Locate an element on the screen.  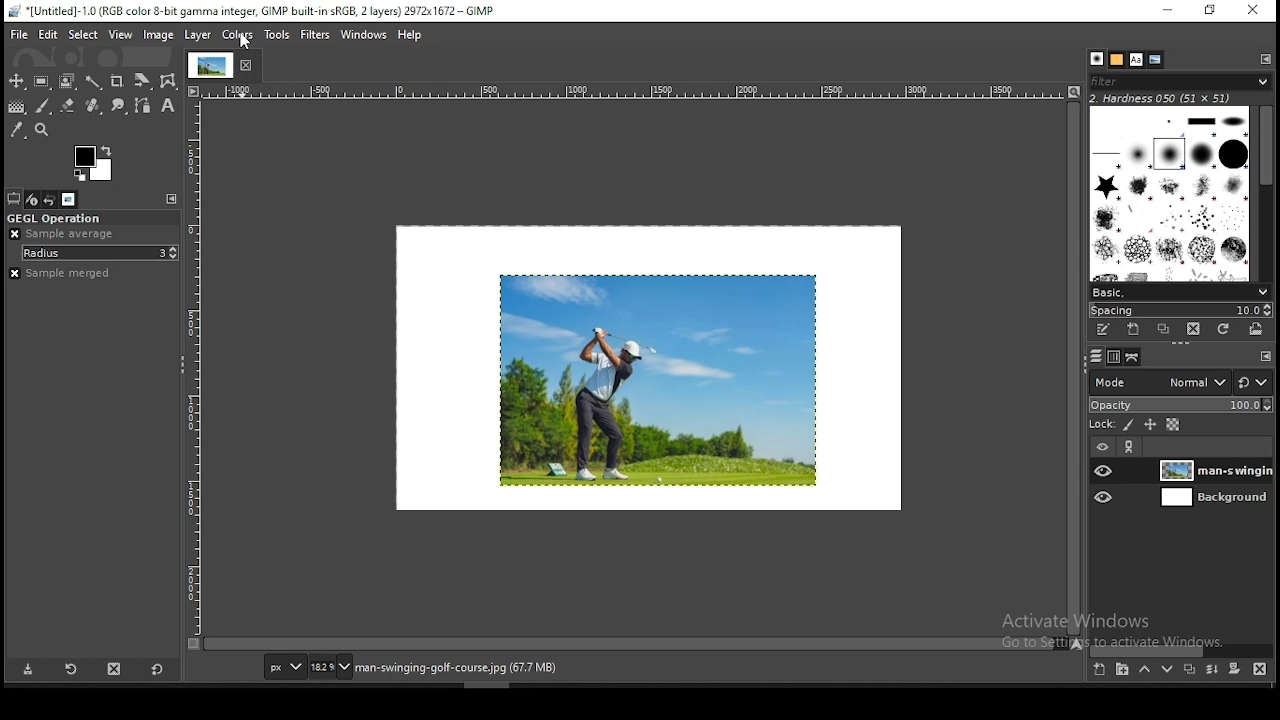
image is located at coordinates (159, 34).